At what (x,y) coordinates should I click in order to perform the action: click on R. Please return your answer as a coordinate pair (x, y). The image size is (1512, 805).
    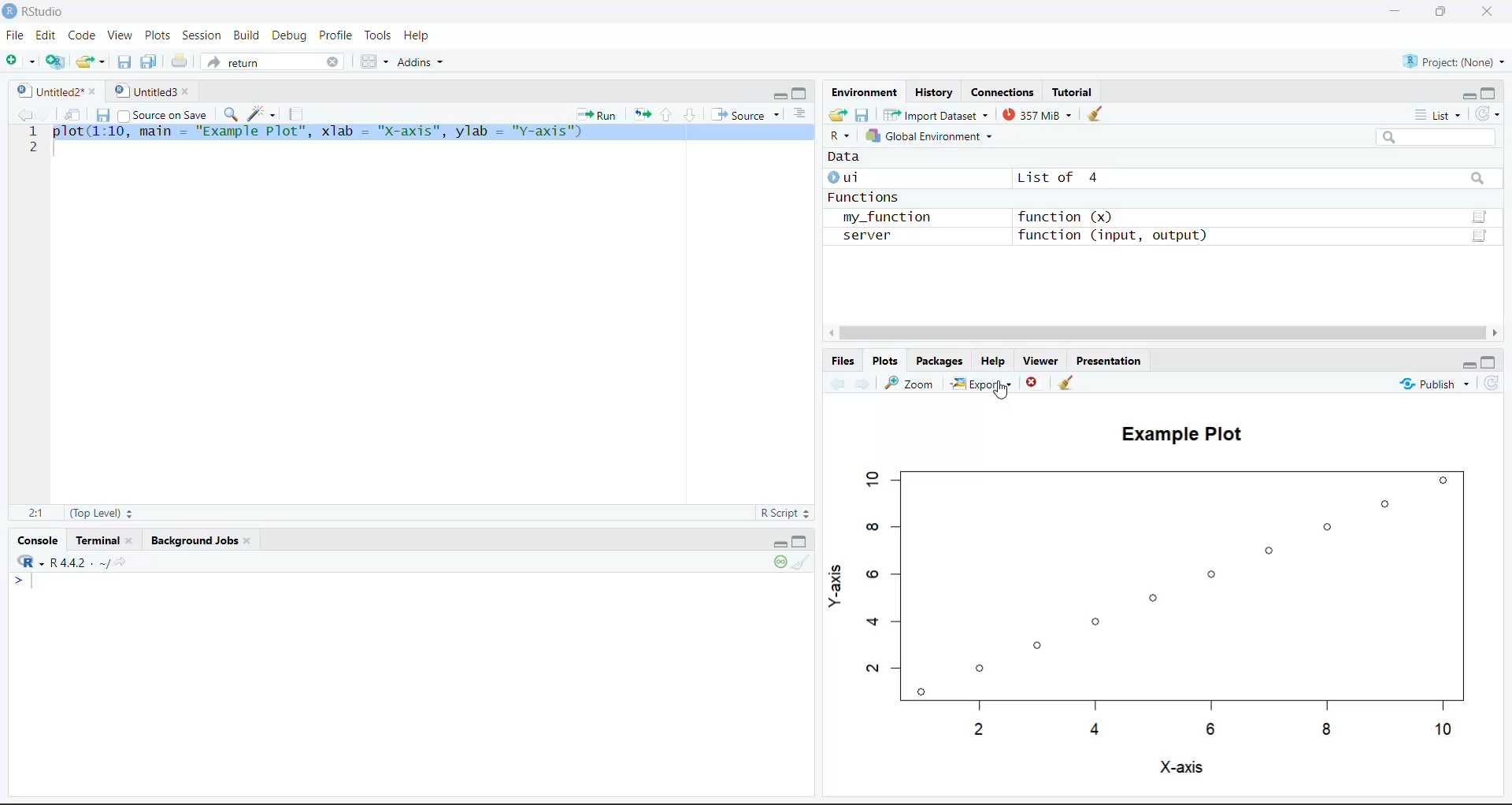
    Looking at the image, I should click on (841, 136).